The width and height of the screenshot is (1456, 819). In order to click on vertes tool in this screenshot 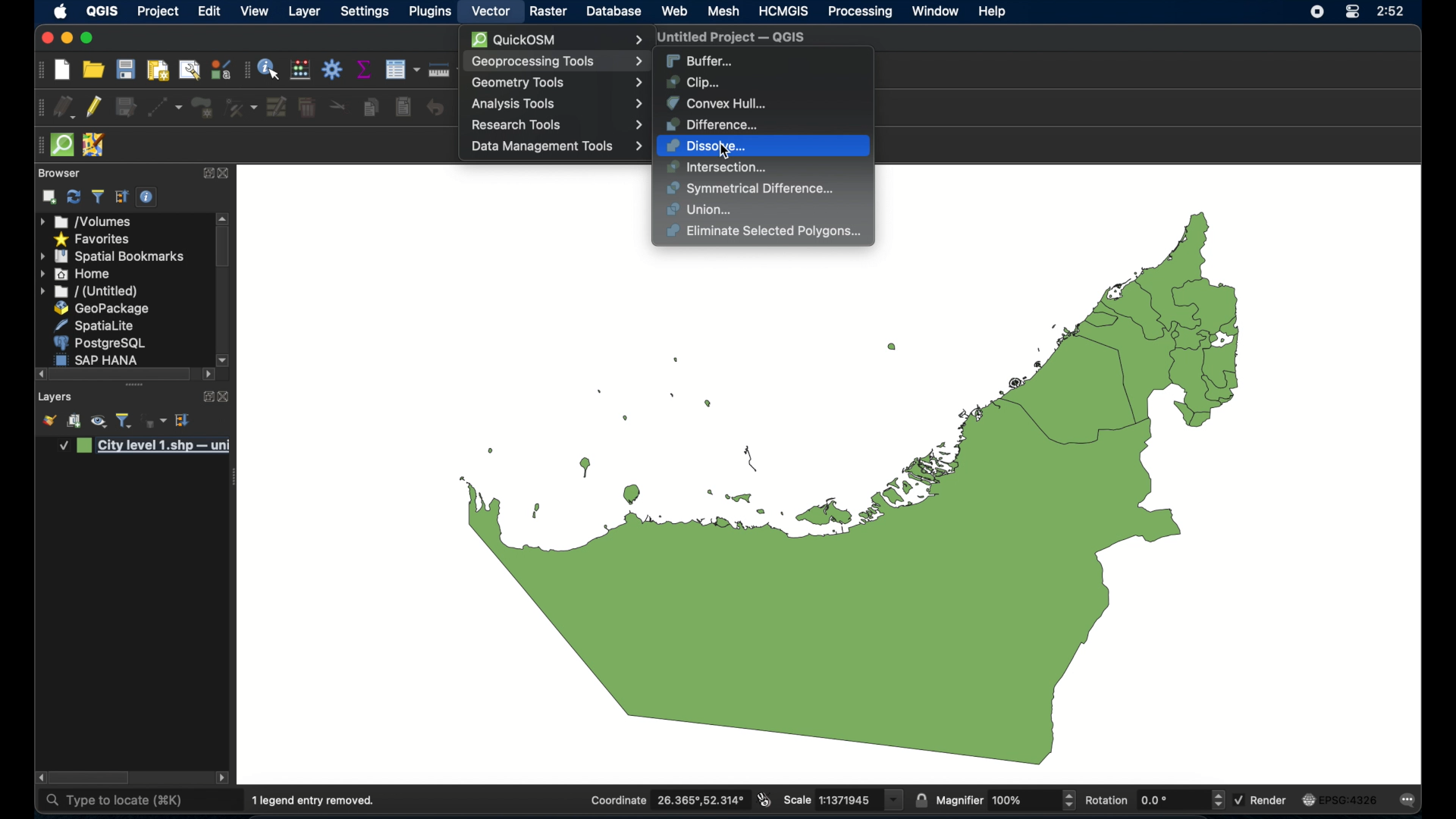, I will do `click(239, 107)`.